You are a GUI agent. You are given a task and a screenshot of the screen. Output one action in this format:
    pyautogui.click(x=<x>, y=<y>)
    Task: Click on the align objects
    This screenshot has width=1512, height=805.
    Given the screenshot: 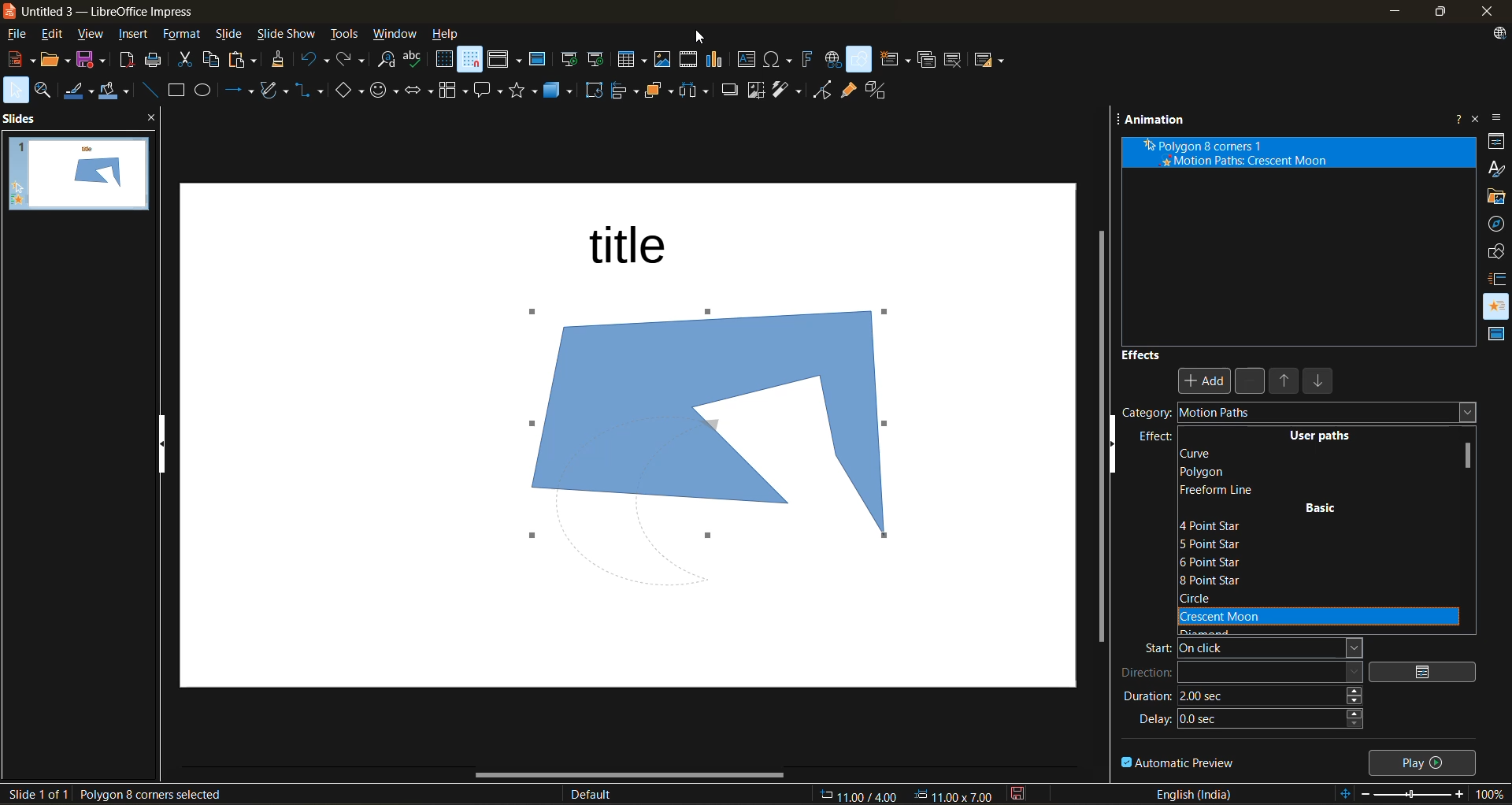 What is the action you would take?
    pyautogui.click(x=623, y=91)
    